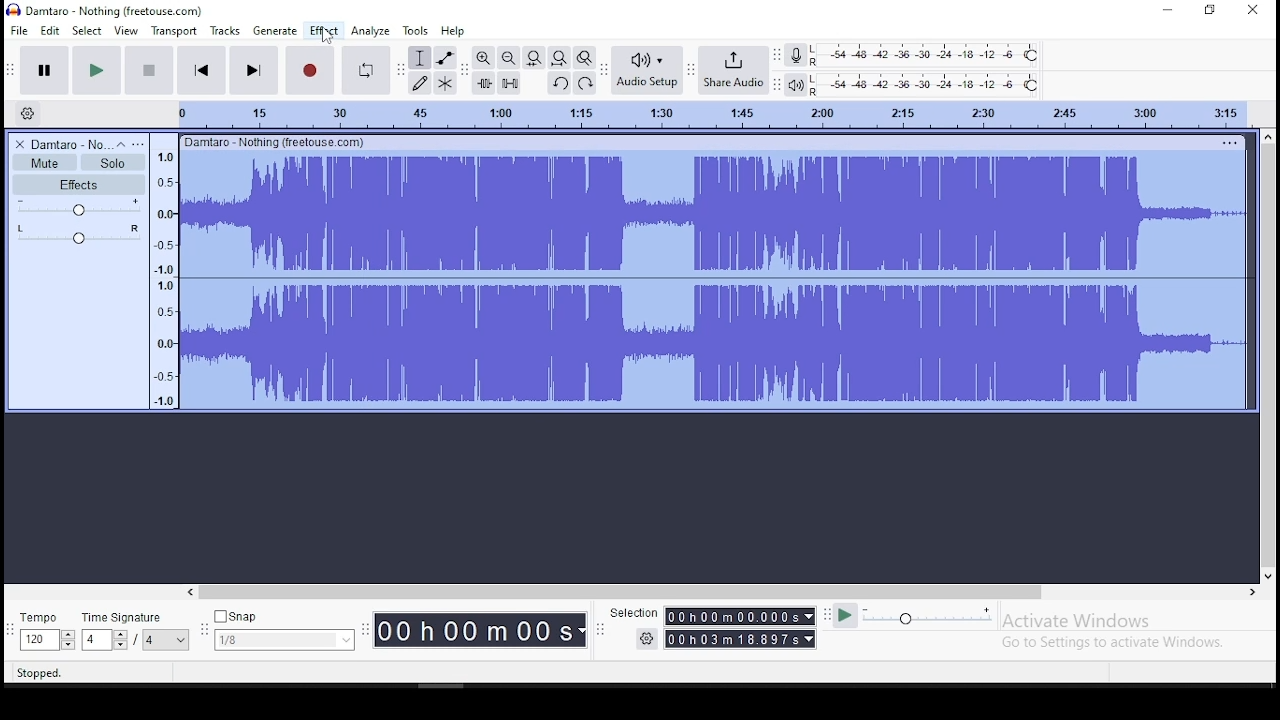  Describe the element at coordinates (95, 640) in the screenshot. I see `4` at that location.